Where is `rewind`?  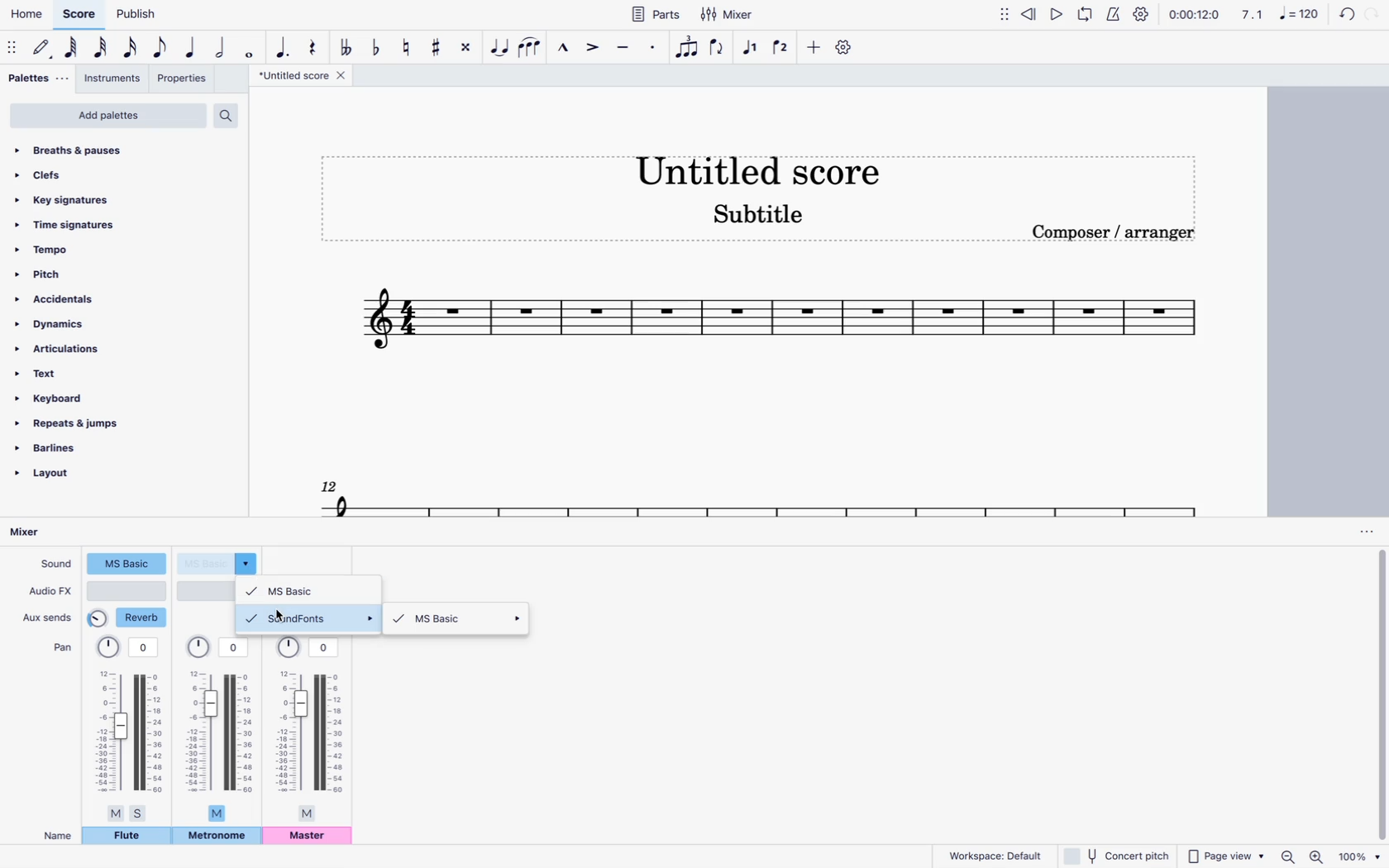 rewind is located at coordinates (1029, 17).